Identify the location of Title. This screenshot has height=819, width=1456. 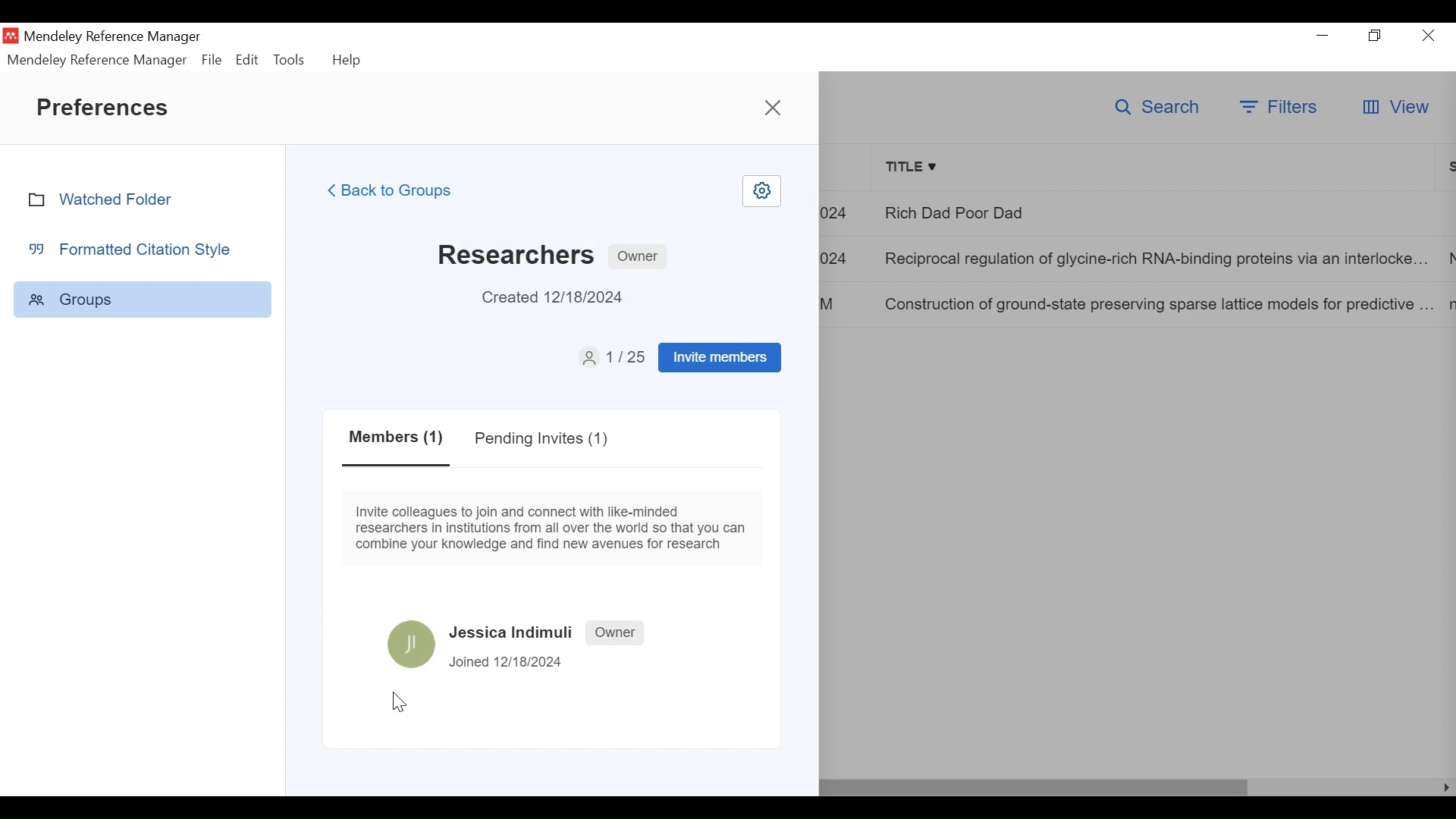
(1156, 168).